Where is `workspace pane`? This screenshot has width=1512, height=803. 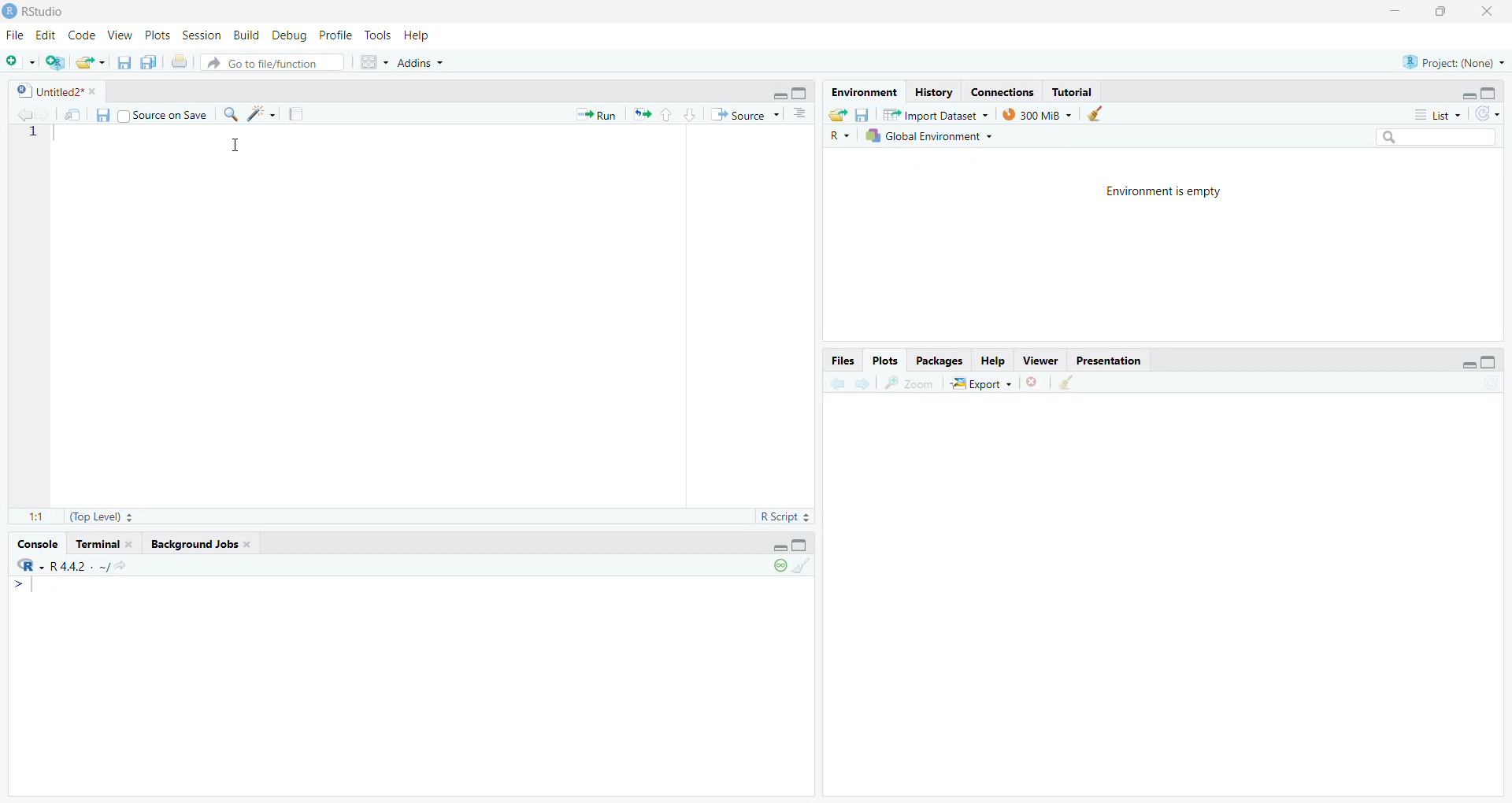
workspace pane is located at coordinates (372, 60).